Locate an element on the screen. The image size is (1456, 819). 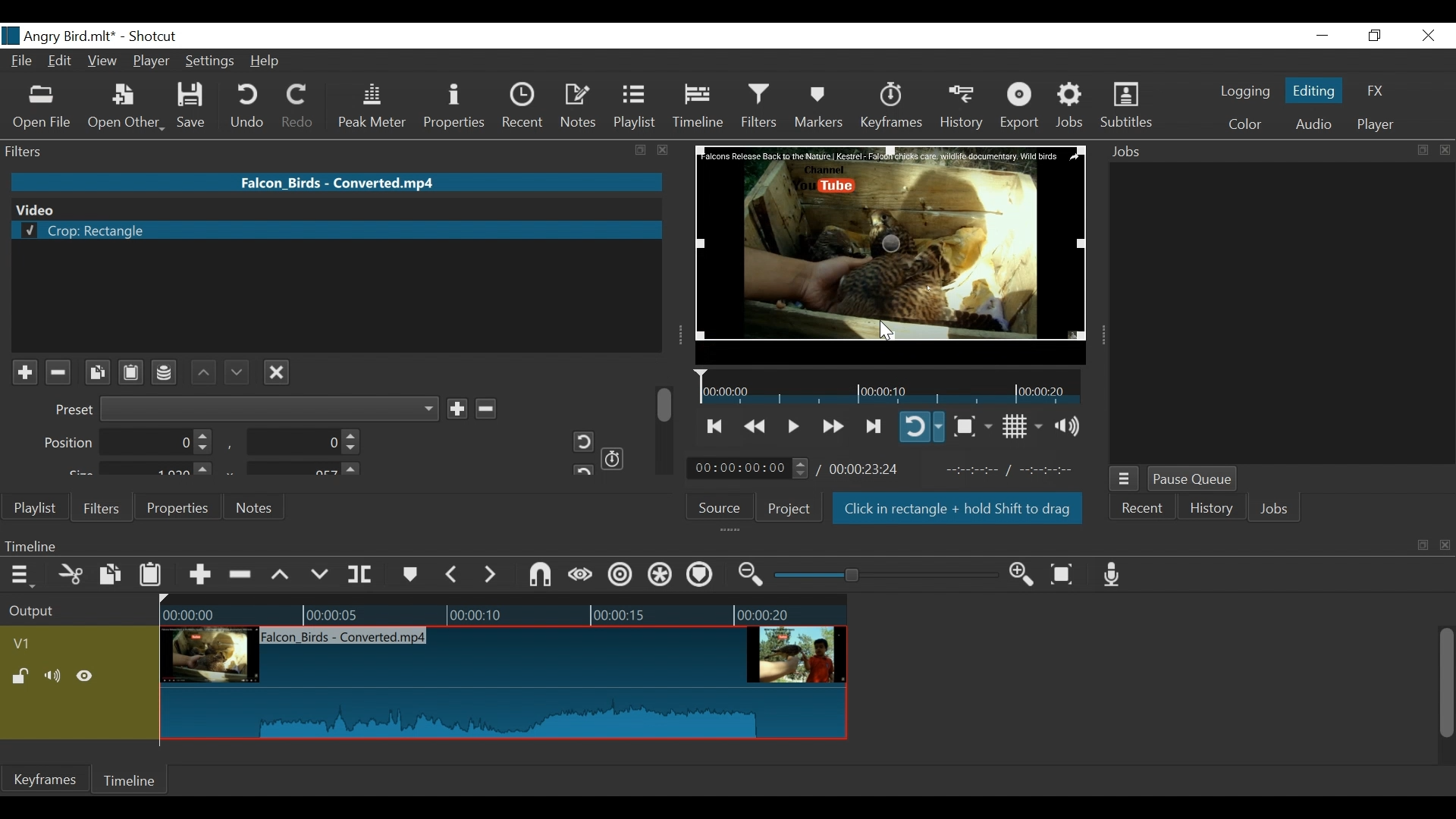
Split at playhead is located at coordinates (360, 575).